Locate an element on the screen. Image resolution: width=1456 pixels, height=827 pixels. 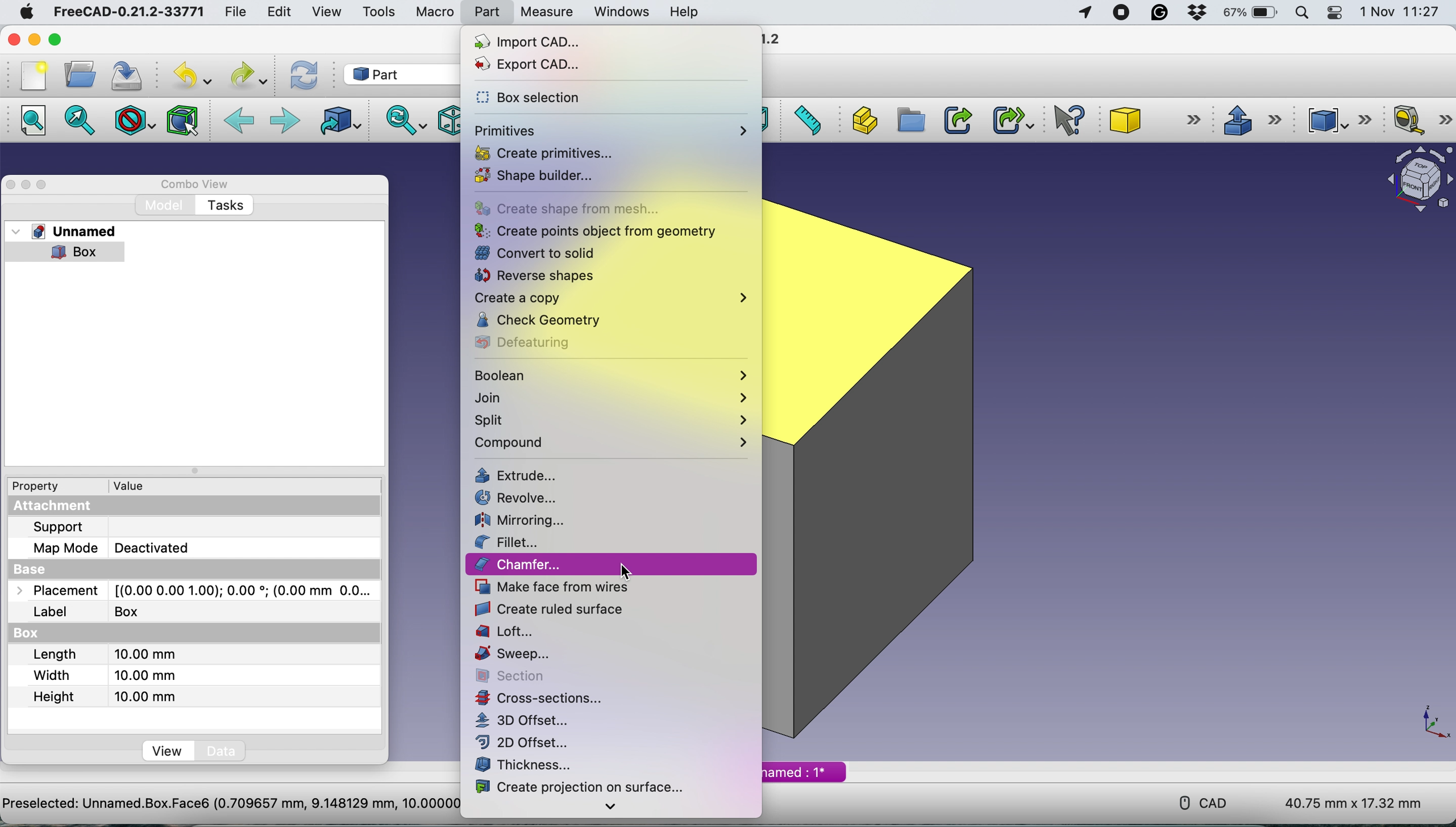
make sub link is located at coordinates (1012, 120).